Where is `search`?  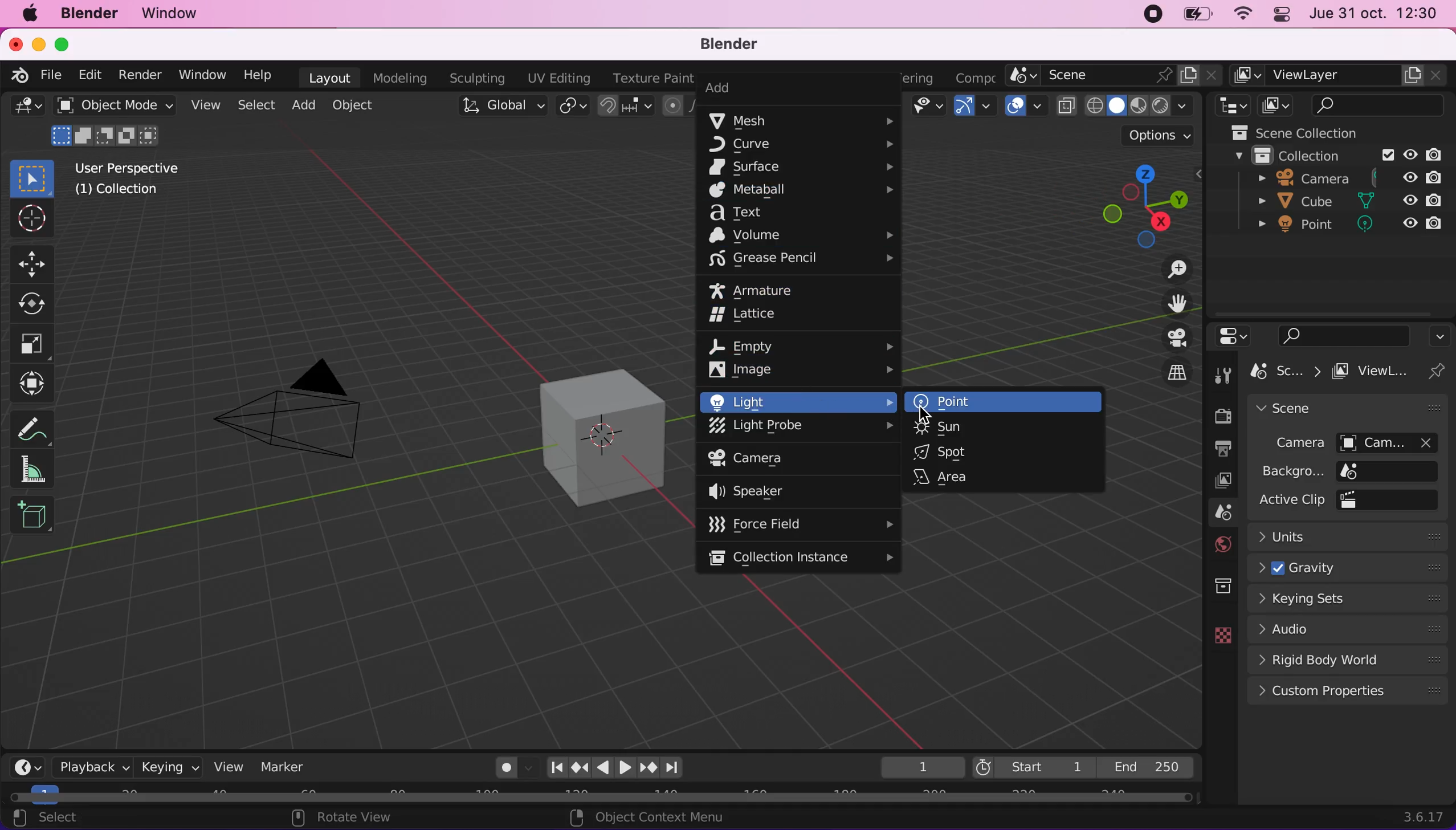
search is located at coordinates (1338, 335).